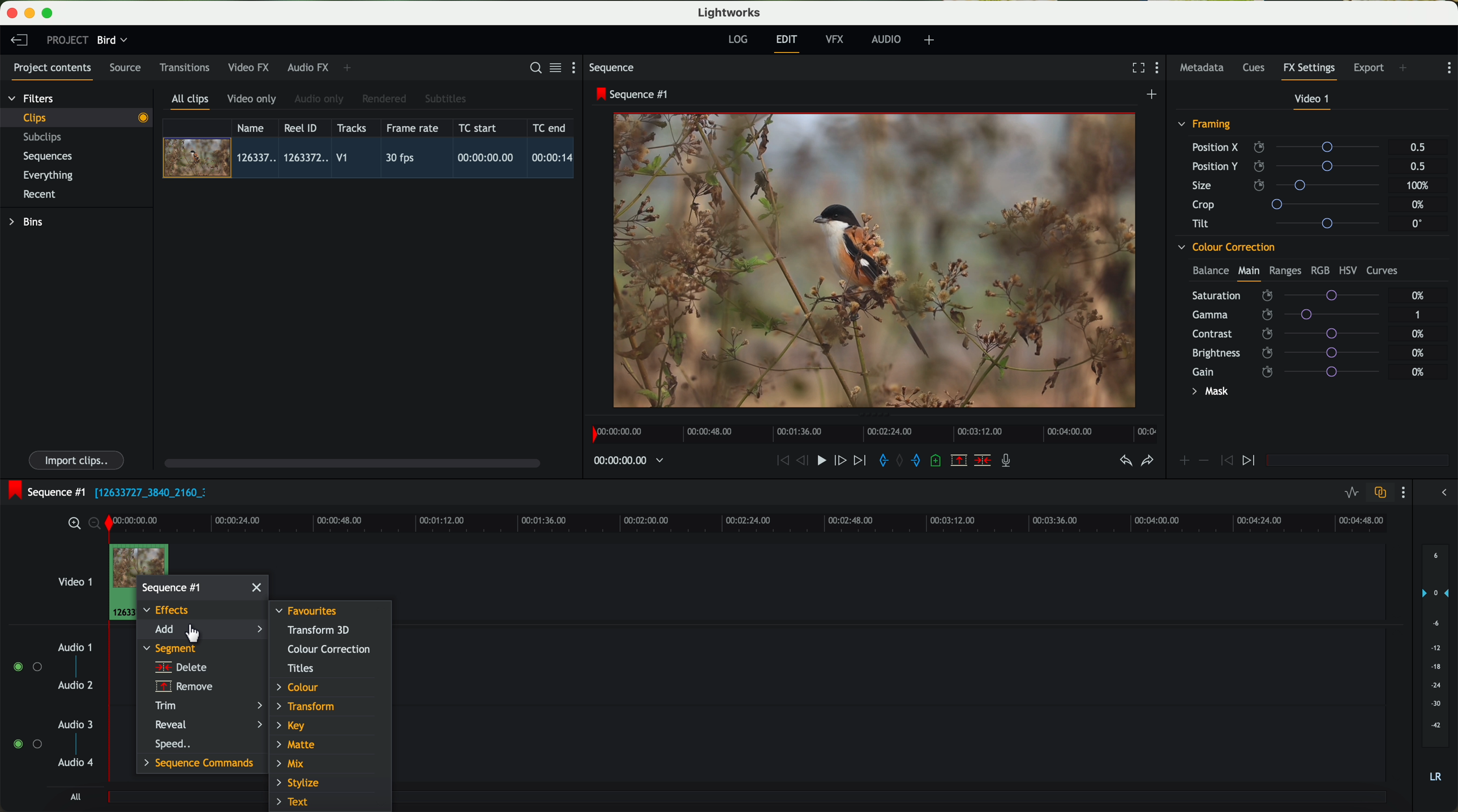 The width and height of the screenshot is (1458, 812). Describe the element at coordinates (1369, 69) in the screenshot. I see `export` at that location.